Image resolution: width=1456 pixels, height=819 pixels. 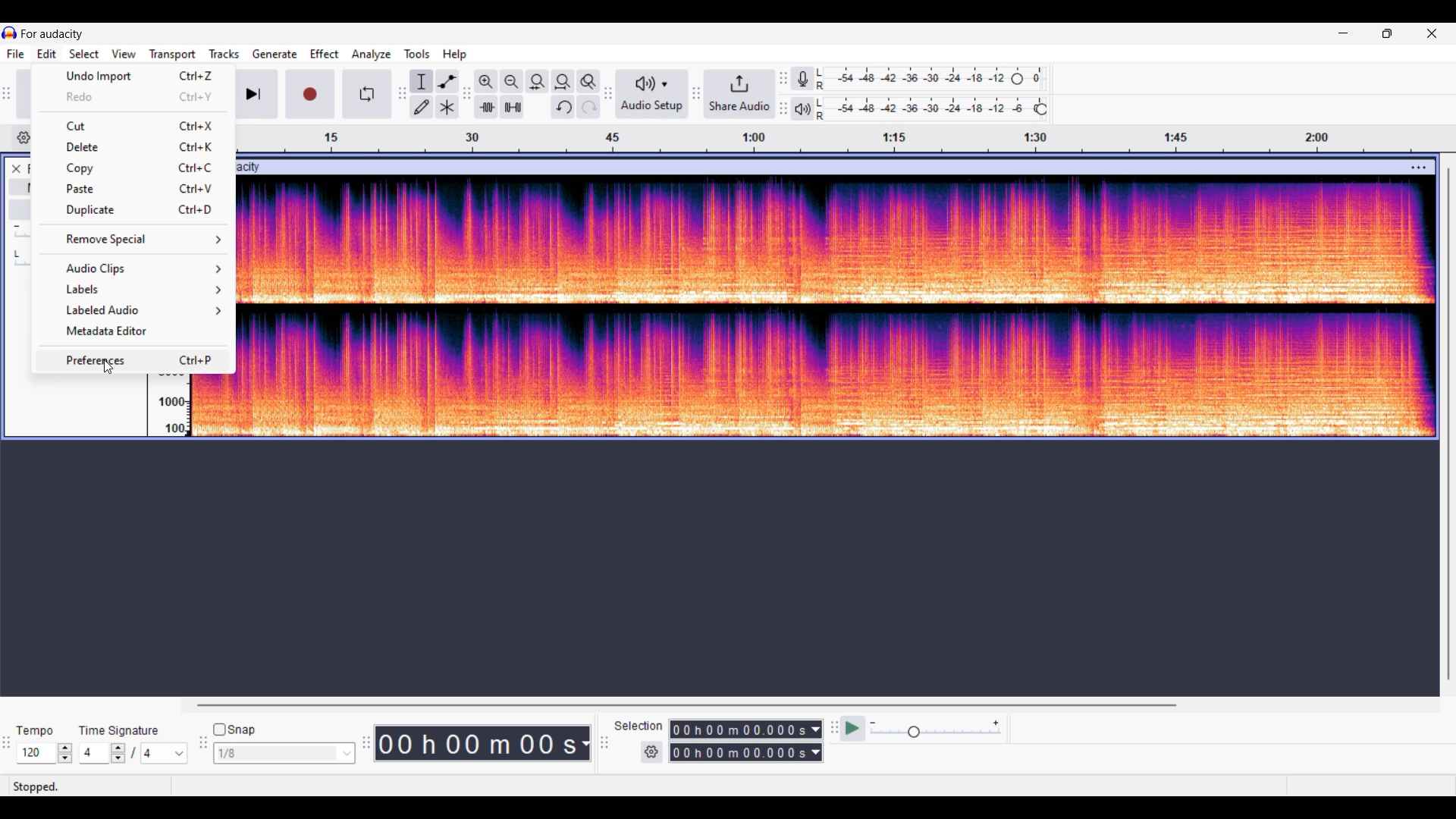 I want to click on Settings, so click(x=651, y=752).